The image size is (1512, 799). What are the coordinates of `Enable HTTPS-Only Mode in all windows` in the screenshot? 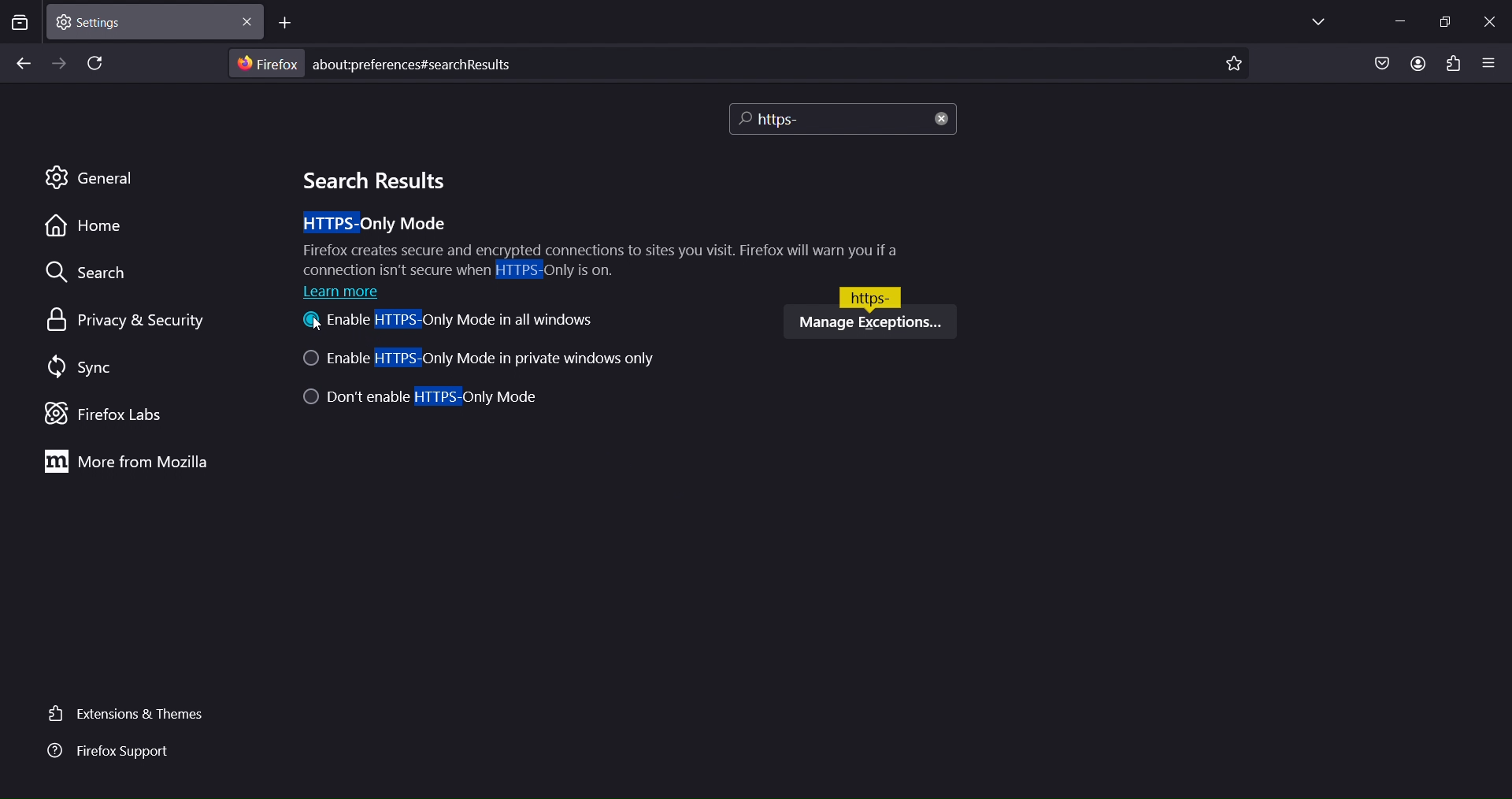 It's located at (447, 323).